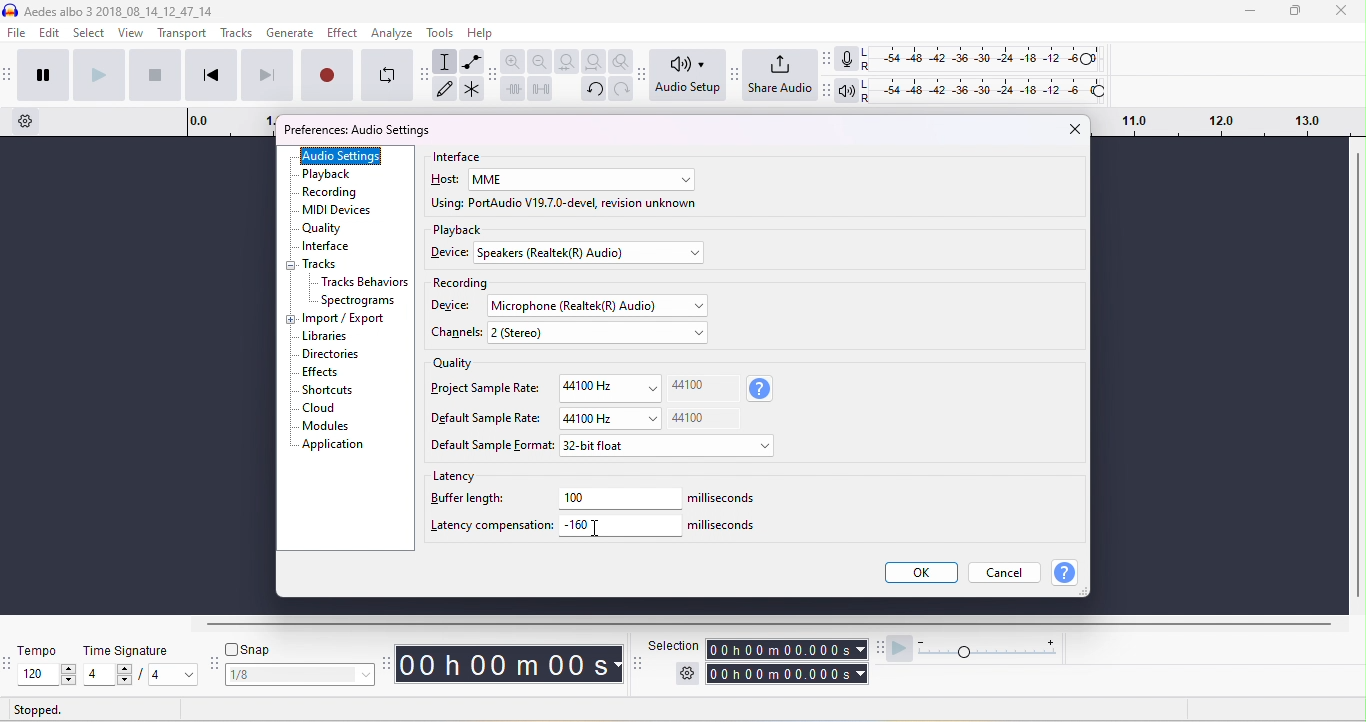 The image size is (1366, 722). I want to click on time signature, so click(127, 650).